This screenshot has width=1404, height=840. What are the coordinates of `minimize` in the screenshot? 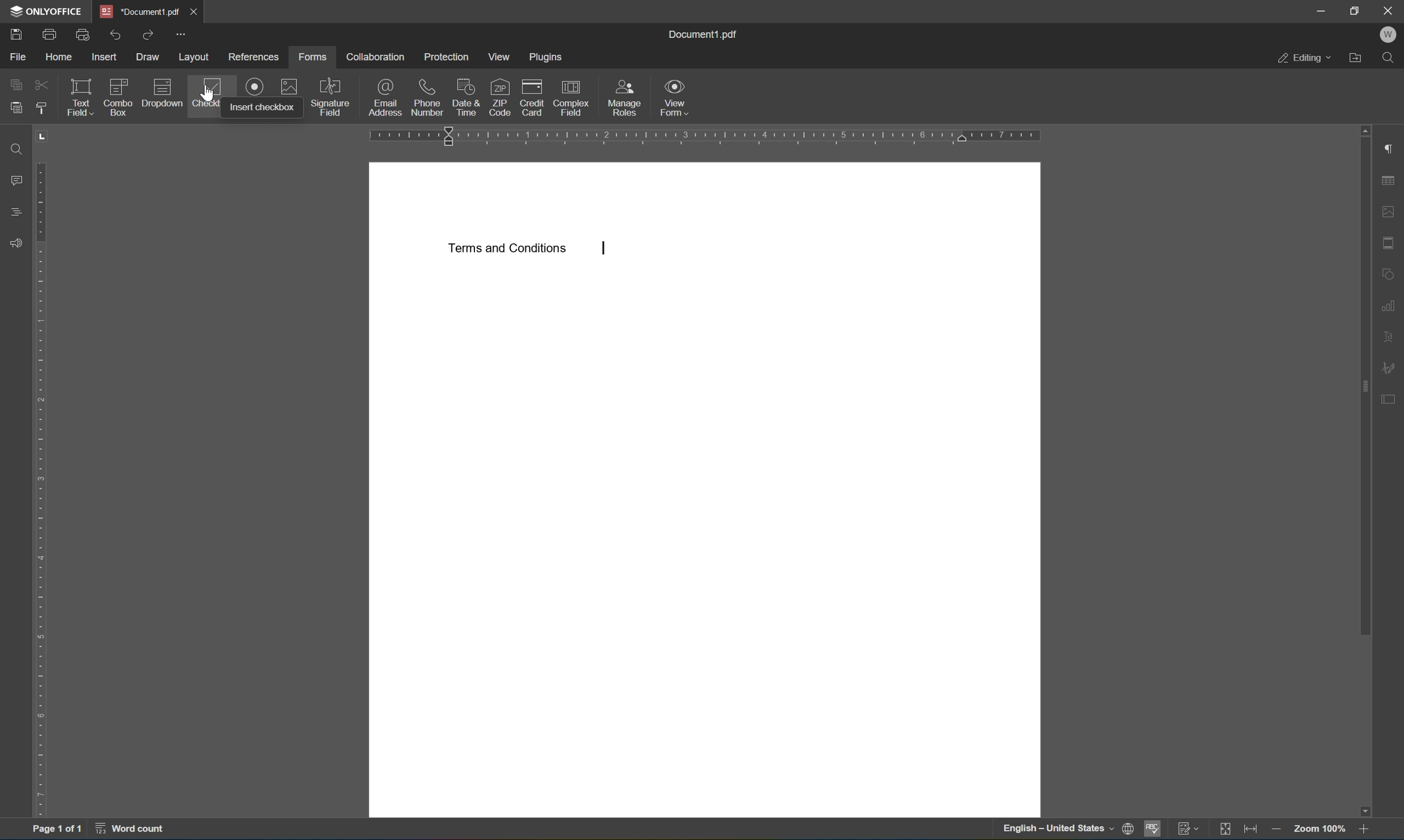 It's located at (1317, 8).